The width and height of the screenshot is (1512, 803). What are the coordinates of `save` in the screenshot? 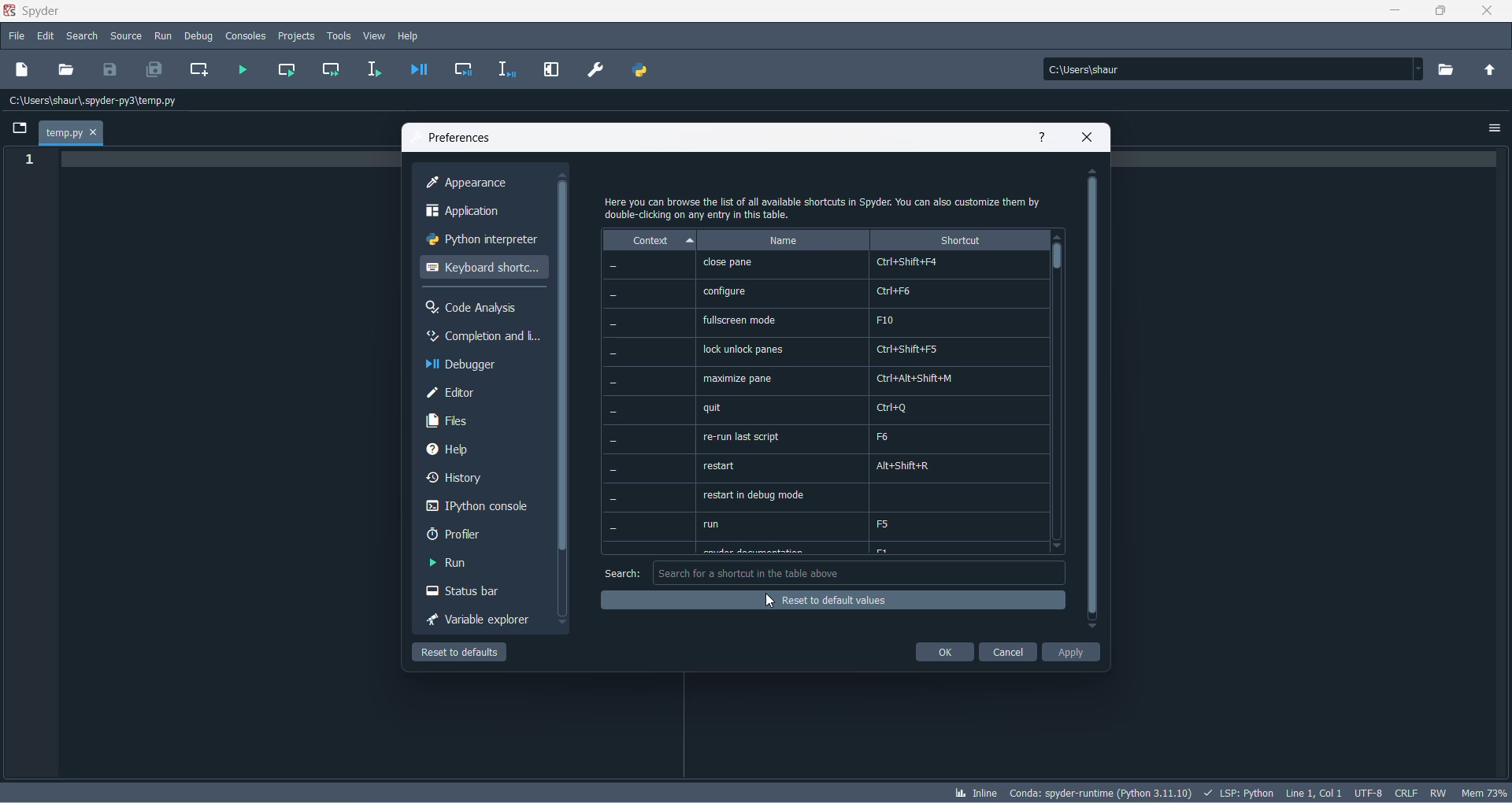 It's located at (110, 69).